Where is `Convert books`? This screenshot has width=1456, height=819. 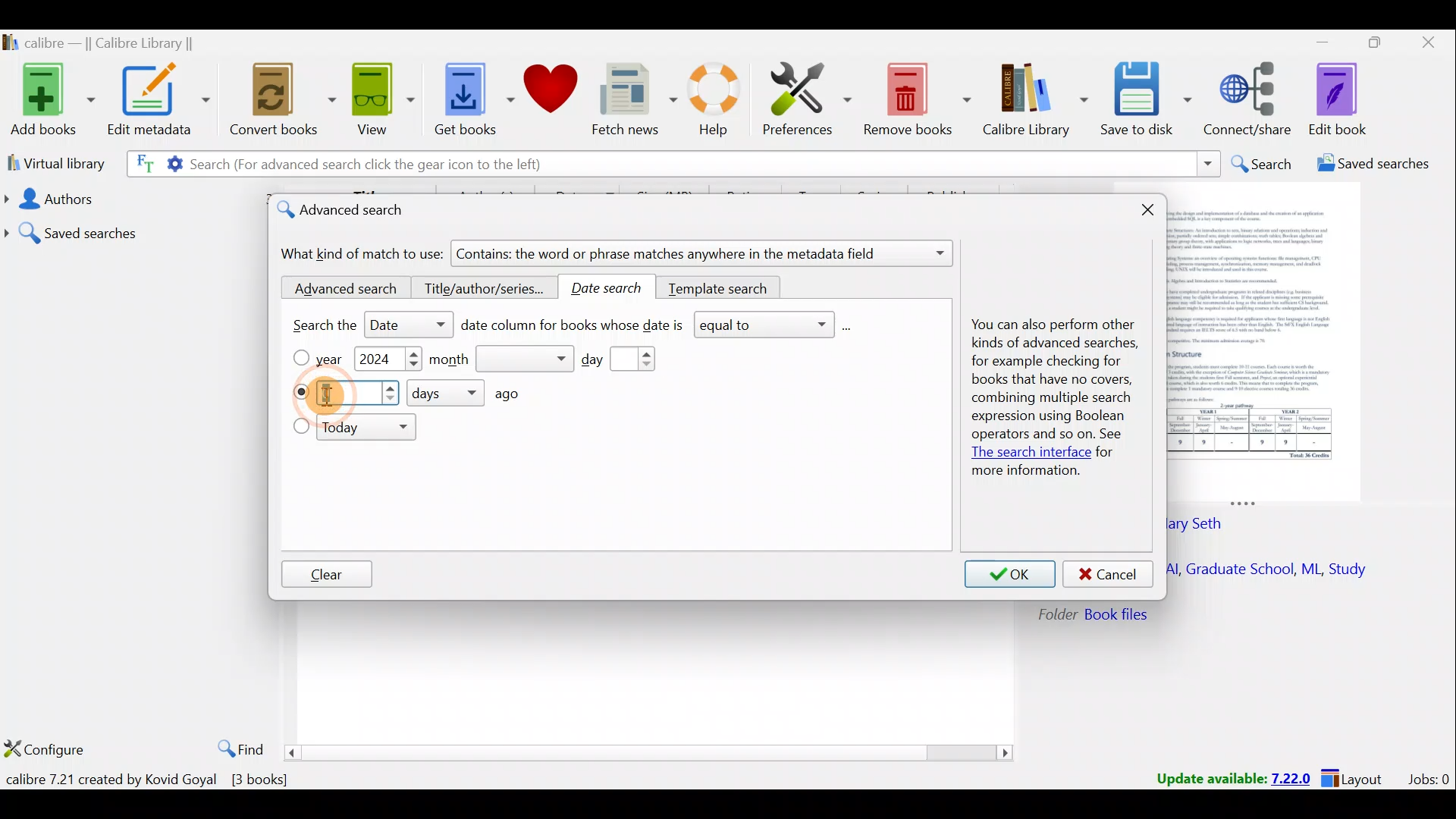 Convert books is located at coordinates (284, 104).